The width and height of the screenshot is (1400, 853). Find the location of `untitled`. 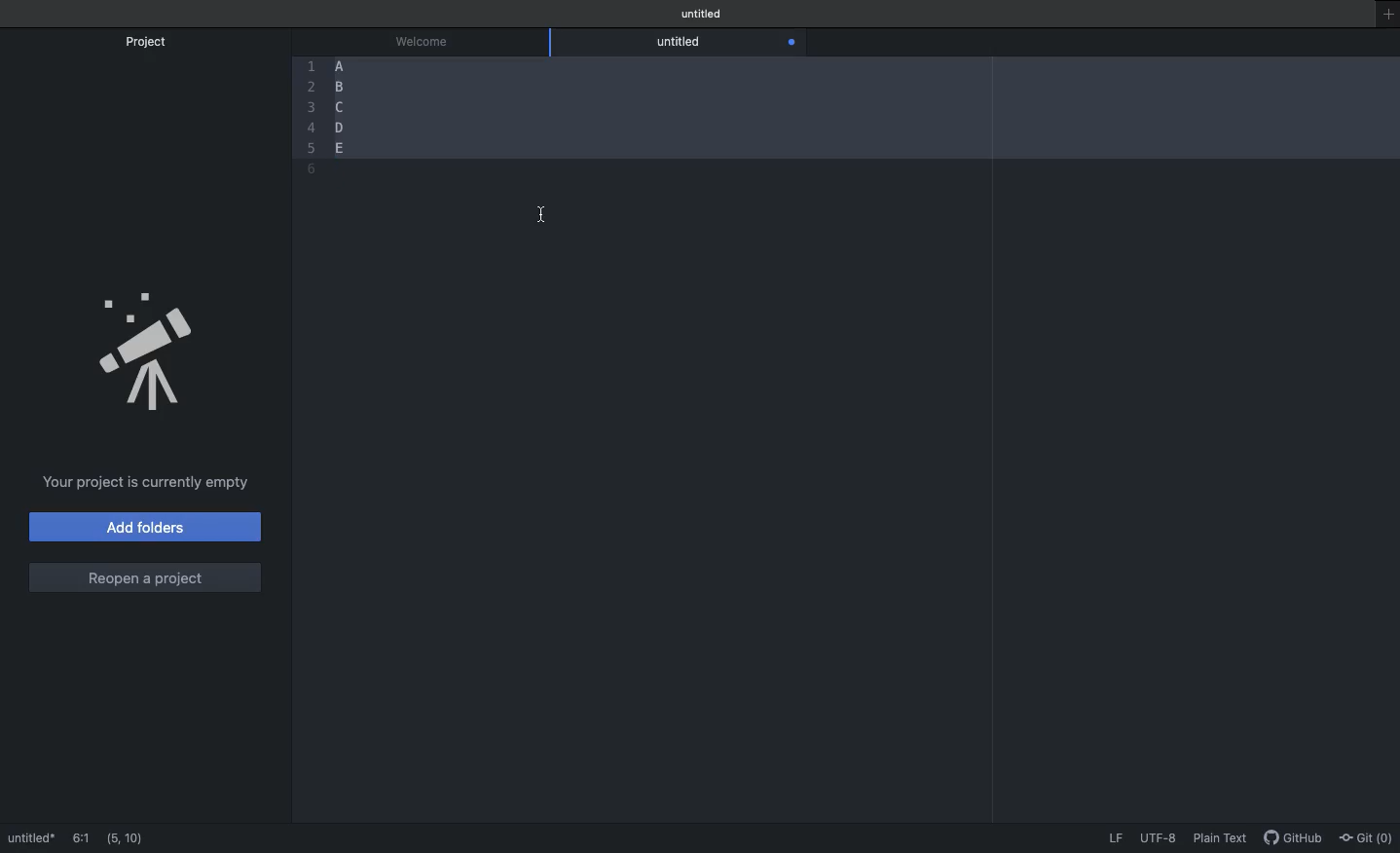

untitled is located at coordinates (700, 13).